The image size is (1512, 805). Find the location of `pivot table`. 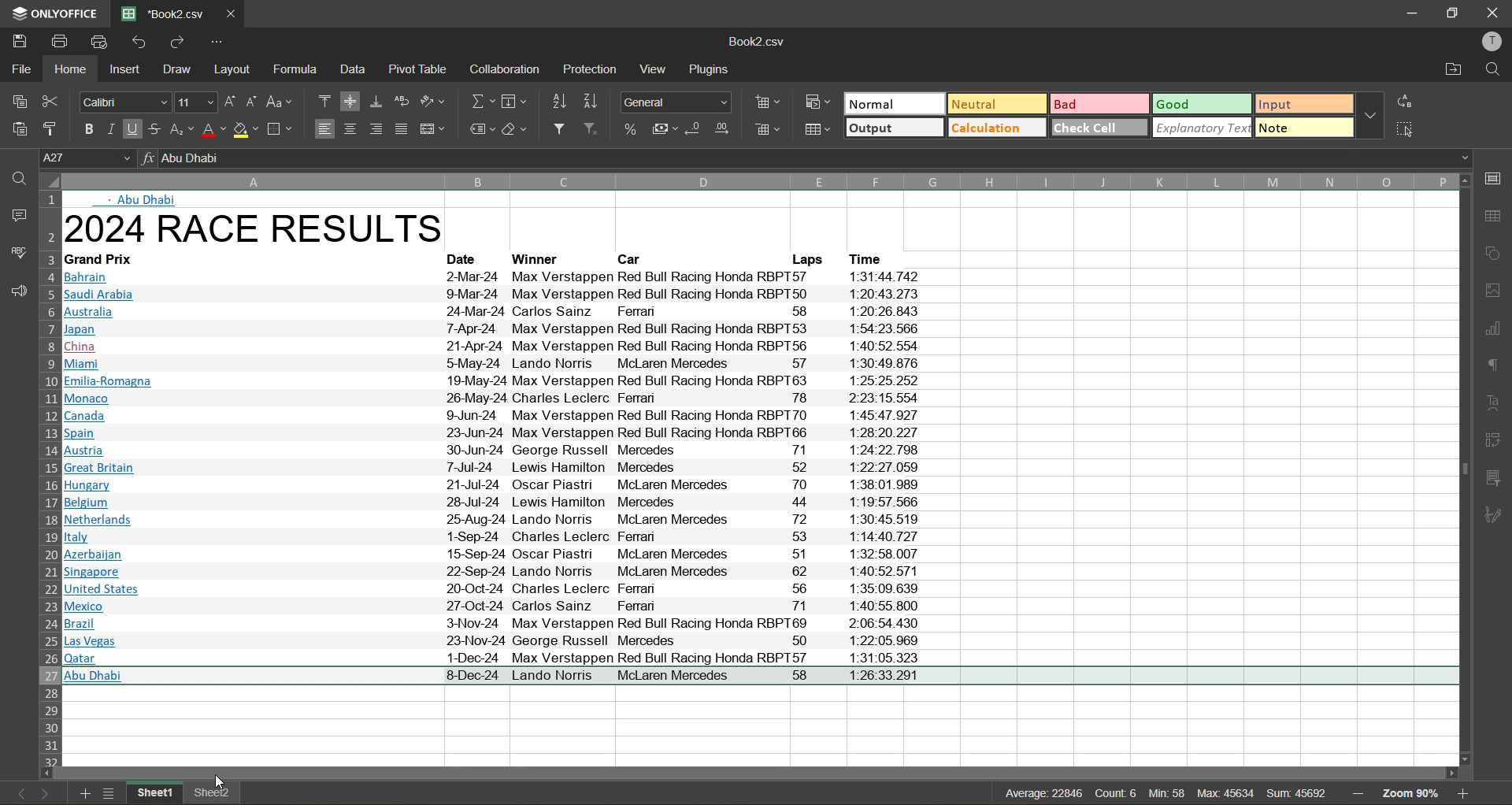

pivot table is located at coordinates (1495, 444).